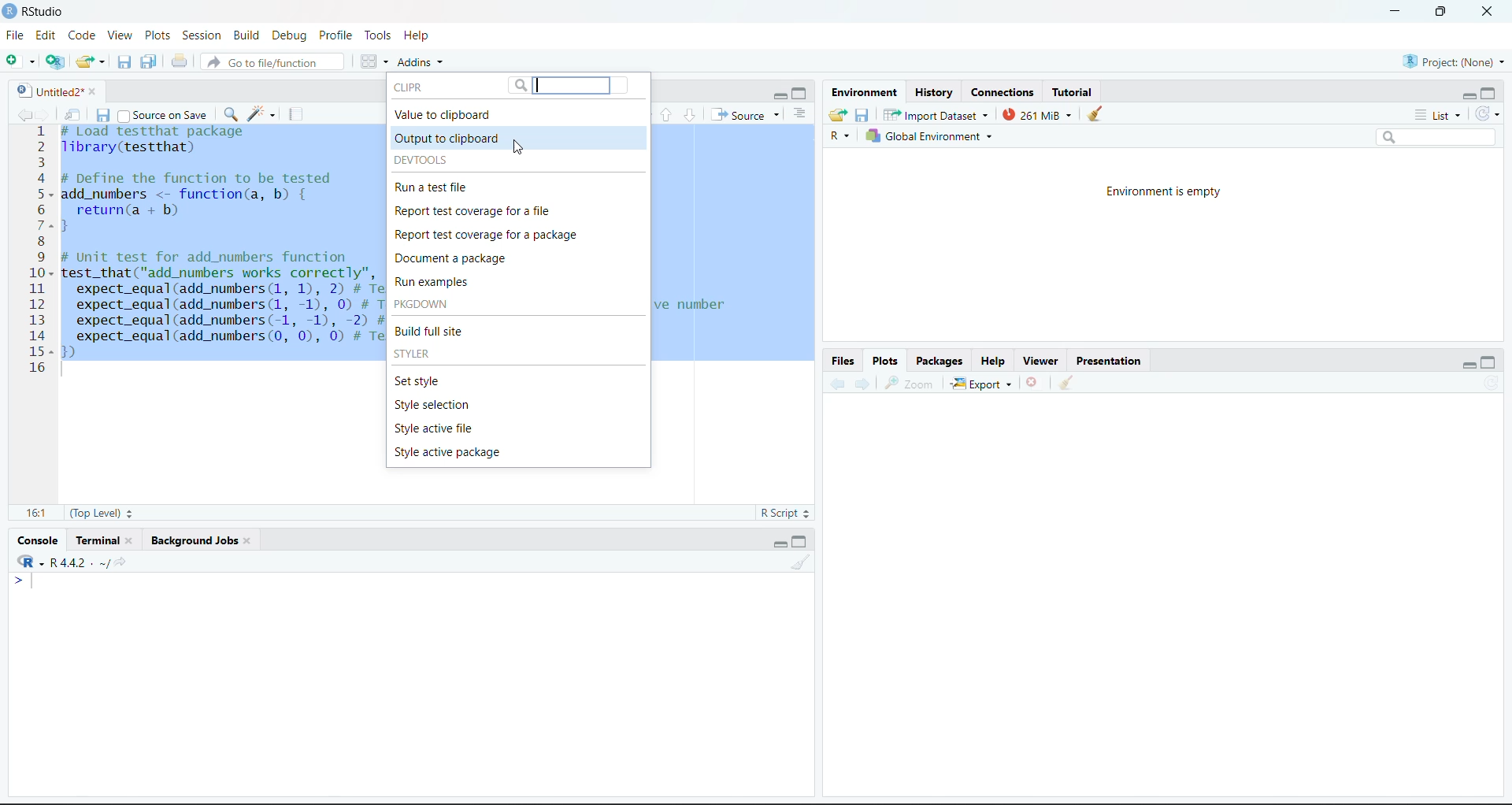  What do you see at coordinates (1468, 95) in the screenshot?
I see `minimize` at bounding box center [1468, 95].